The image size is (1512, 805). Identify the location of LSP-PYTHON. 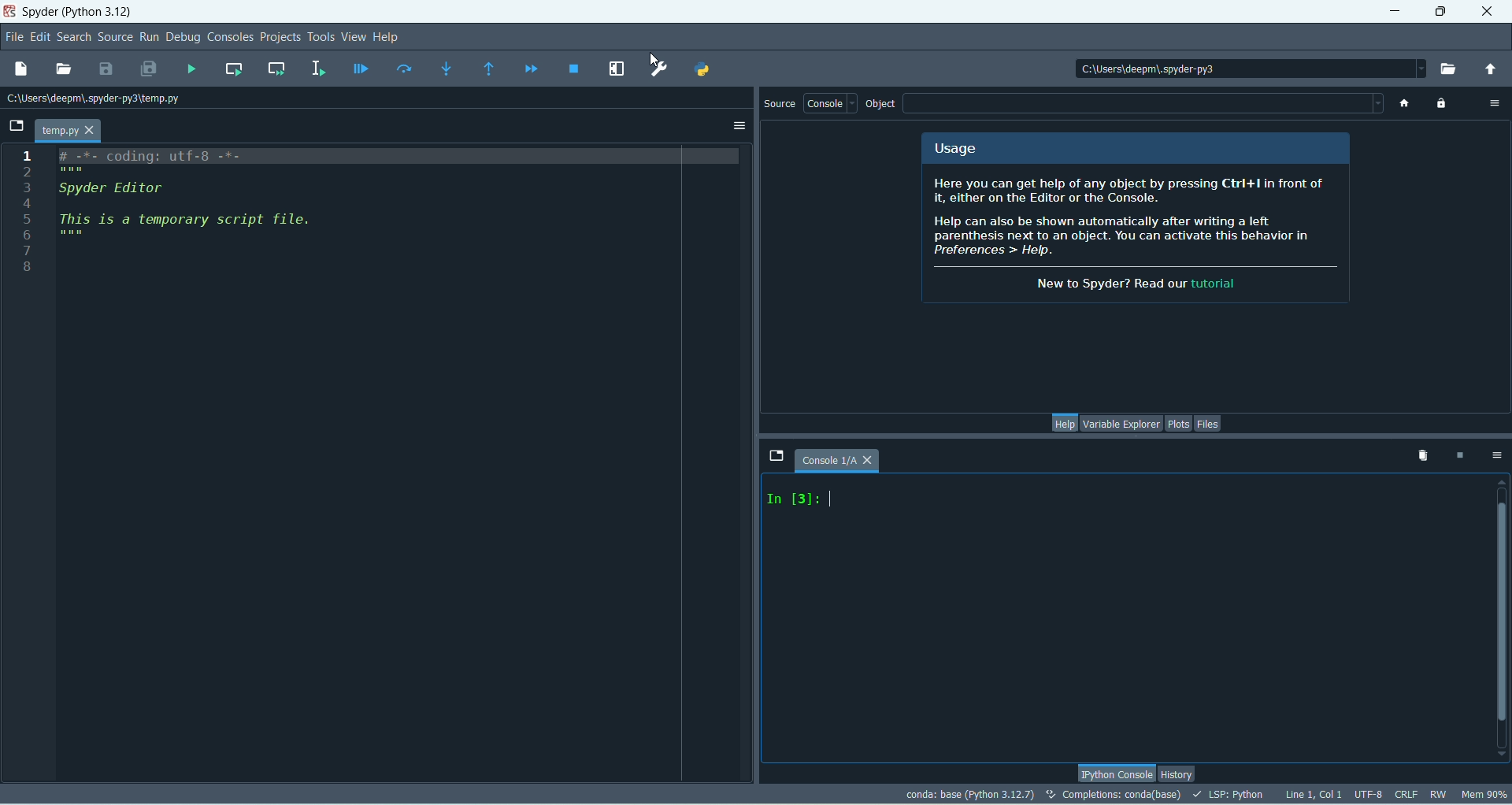
(1228, 794).